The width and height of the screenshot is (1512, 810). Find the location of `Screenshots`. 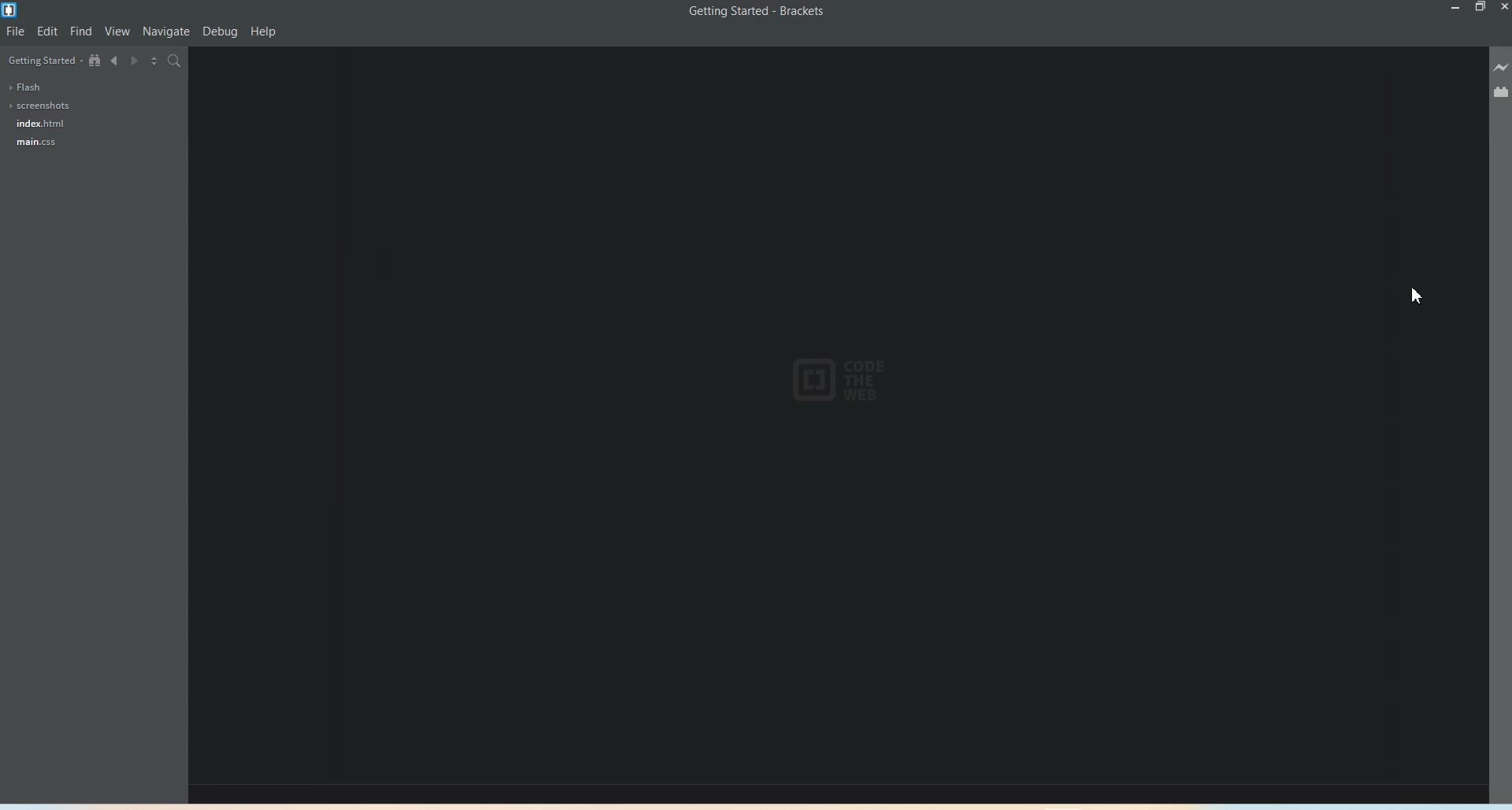

Screenshots is located at coordinates (41, 106).